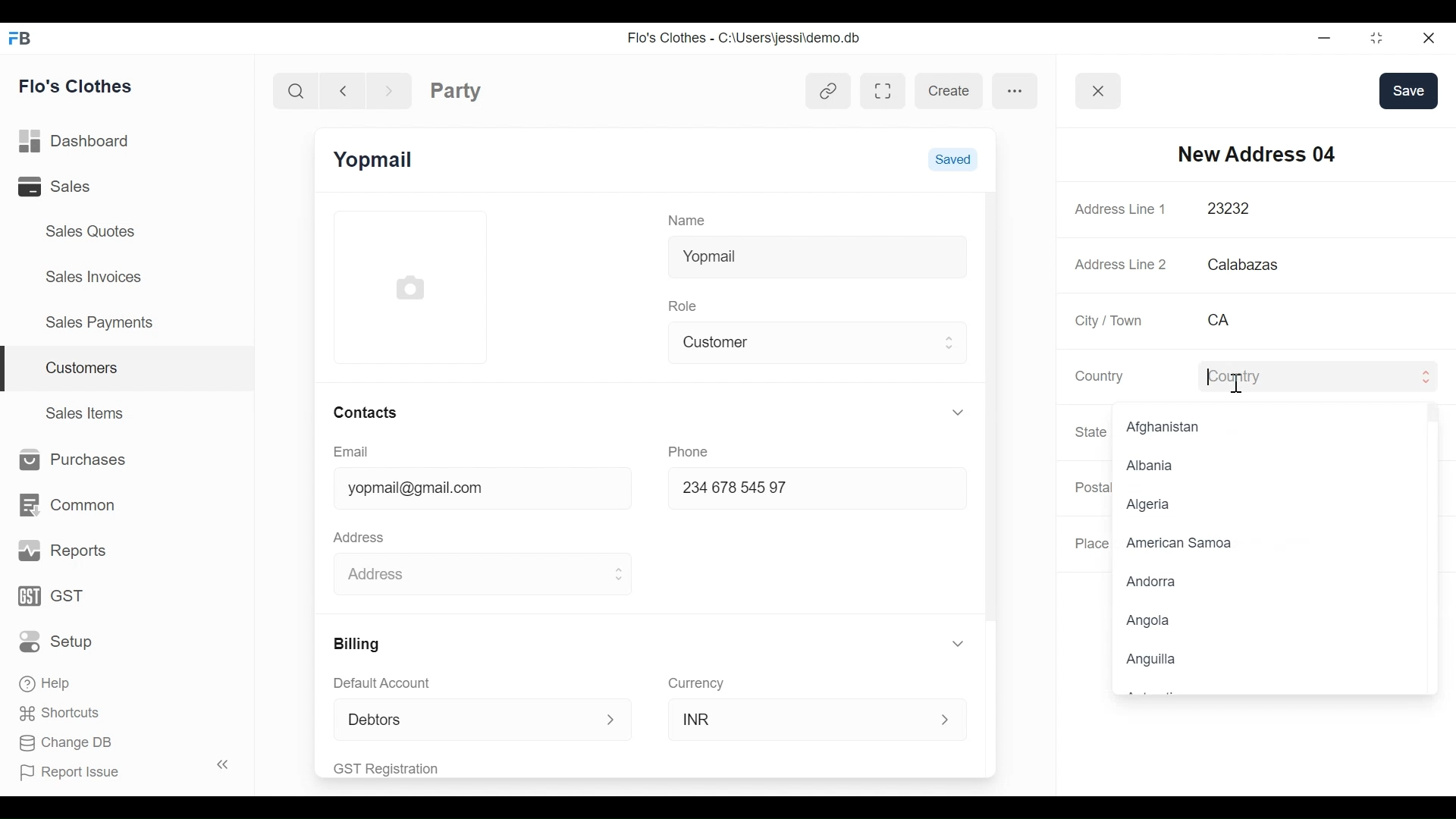  Describe the element at coordinates (612, 720) in the screenshot. I see `Expand` at that location.